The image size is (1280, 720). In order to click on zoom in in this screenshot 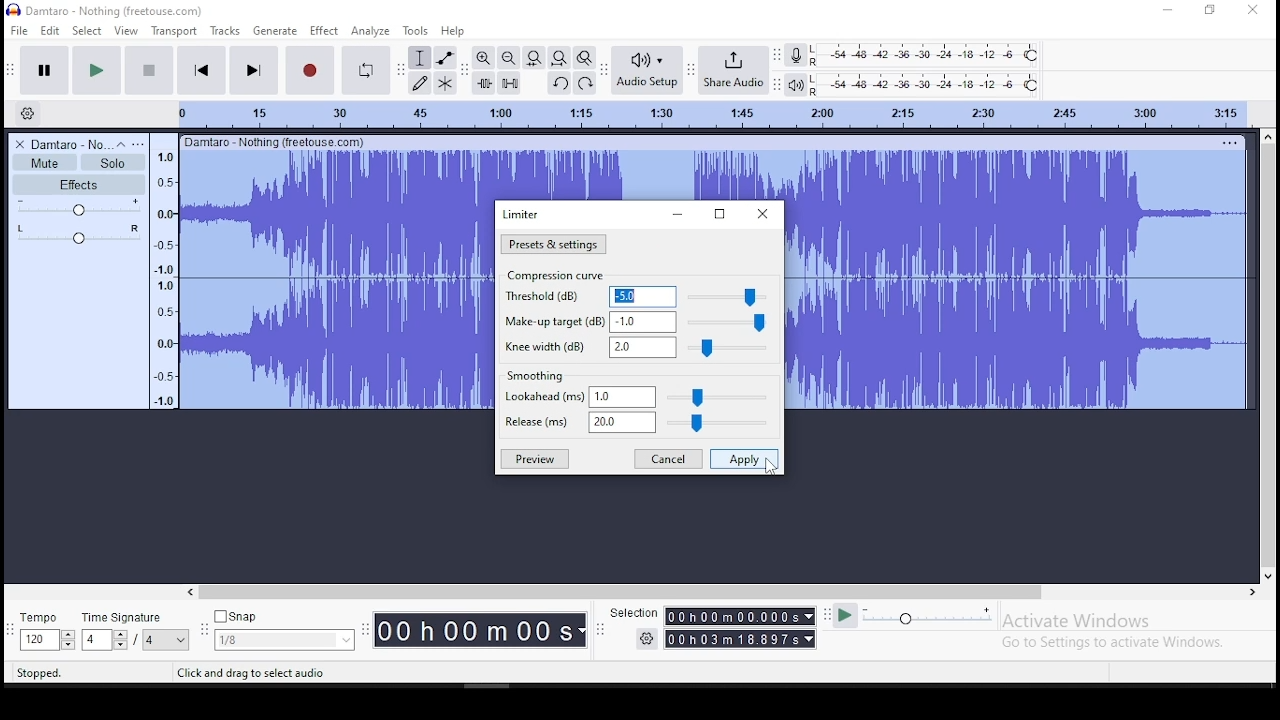, I will do `click(482, 58)`.